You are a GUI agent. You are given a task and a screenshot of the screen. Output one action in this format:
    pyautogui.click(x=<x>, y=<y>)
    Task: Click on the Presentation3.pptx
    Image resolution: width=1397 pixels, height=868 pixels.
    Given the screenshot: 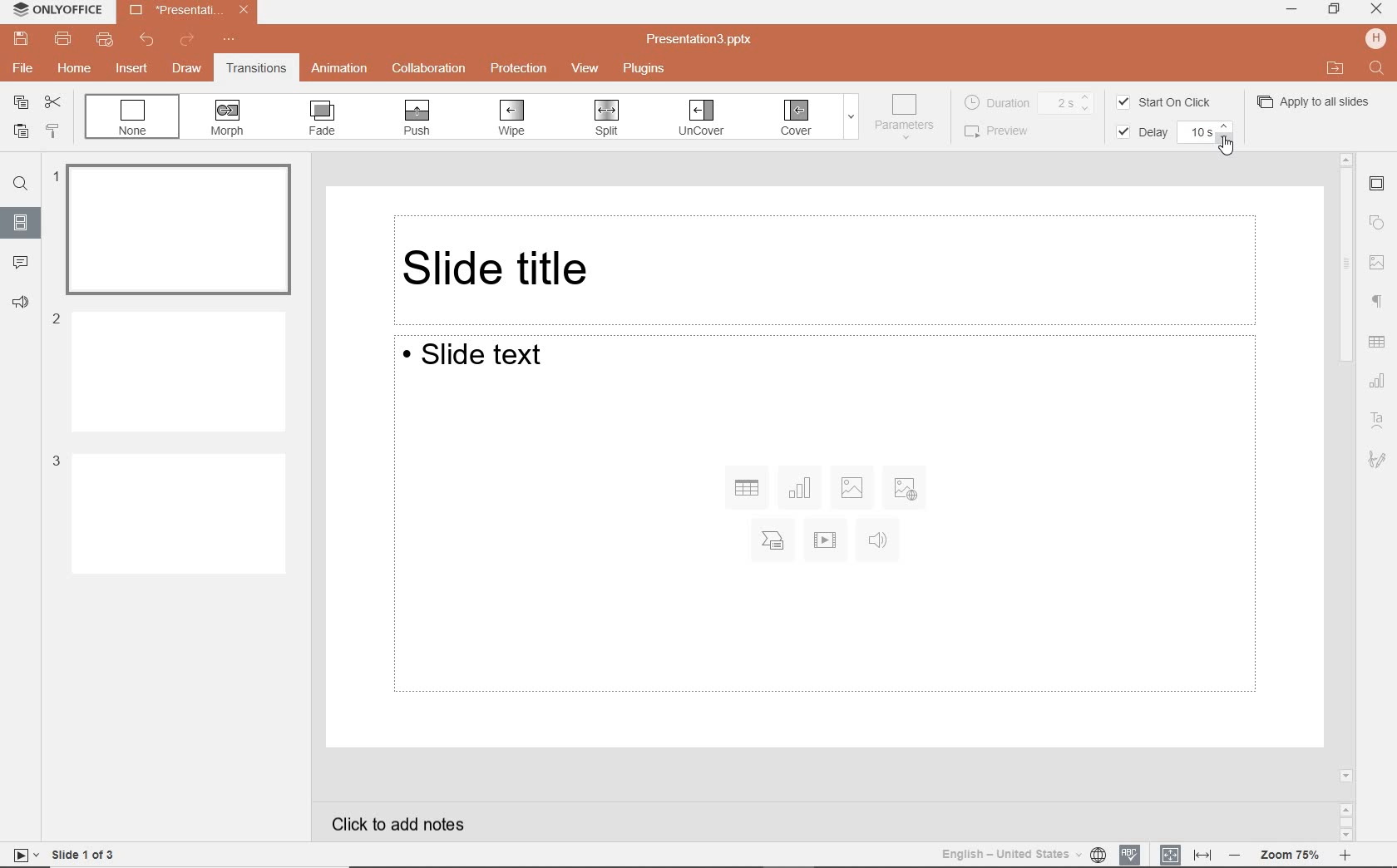 What is the action you would take?
    pyautogui.click(x=700, y=39)
    